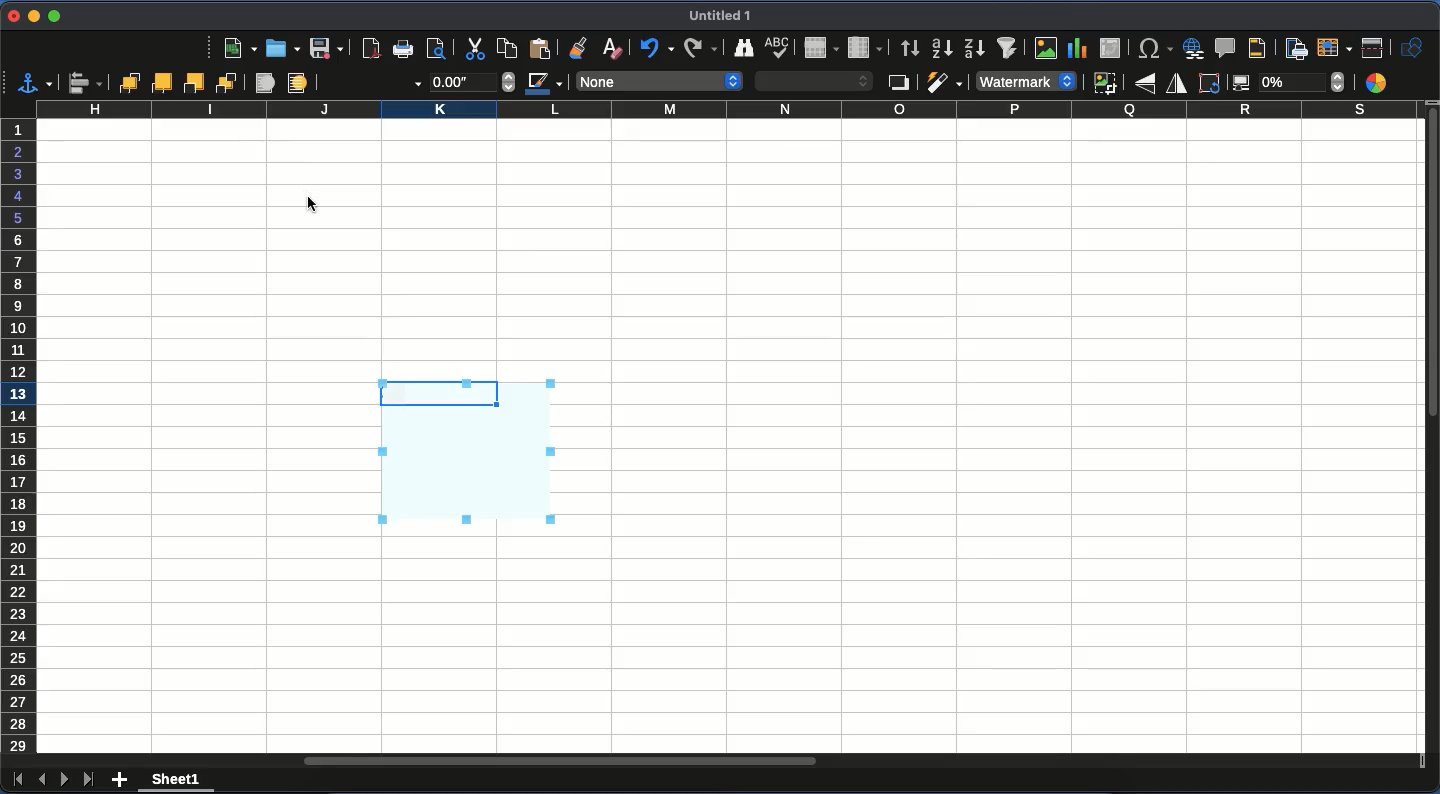 The image size is (1440, 794). Describe the element at coordinates (658, 47) in the screenshot. I see `undo` at that location.